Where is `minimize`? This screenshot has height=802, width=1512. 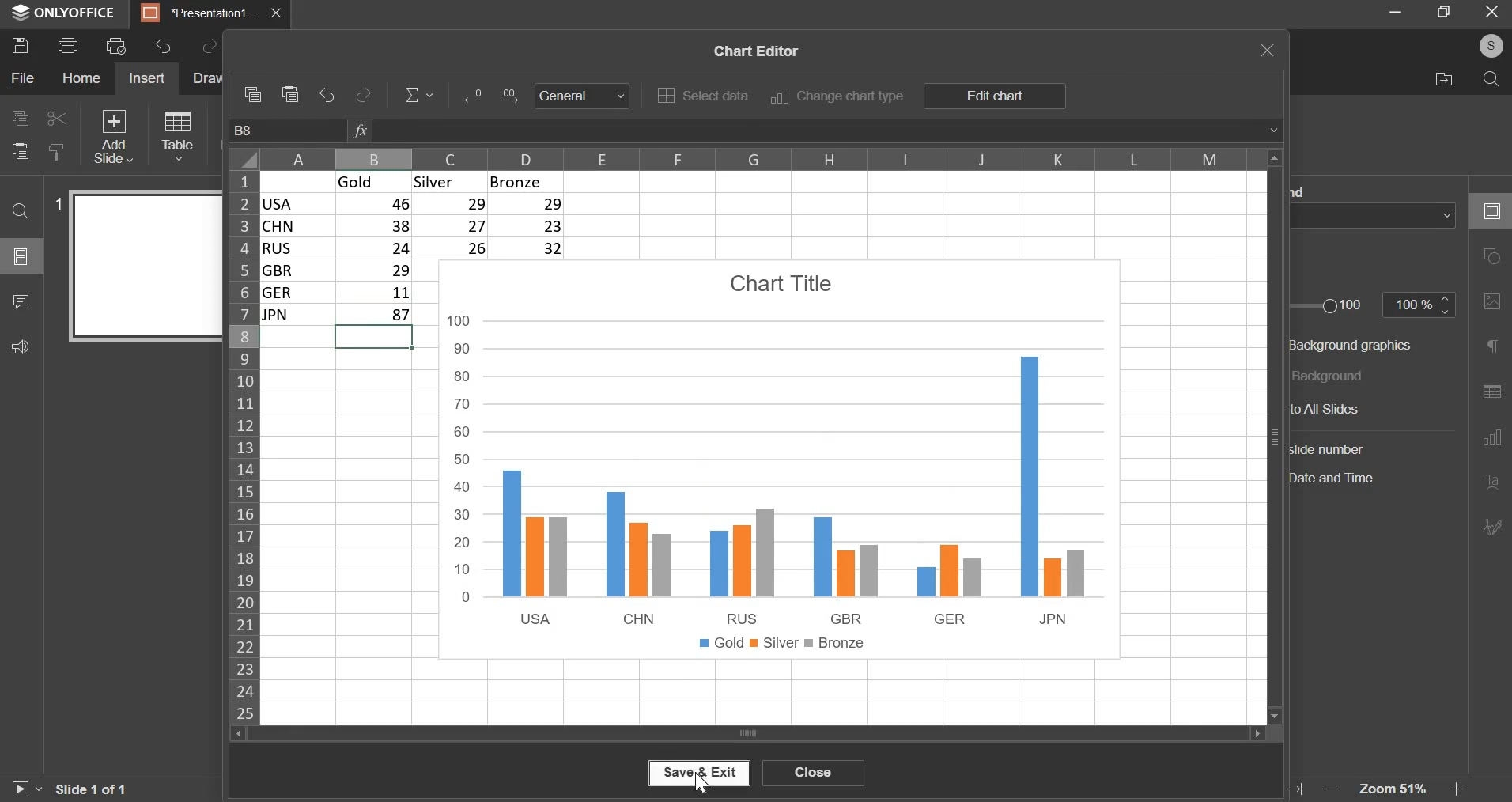
minimize is located at coordinates (1396, 9).